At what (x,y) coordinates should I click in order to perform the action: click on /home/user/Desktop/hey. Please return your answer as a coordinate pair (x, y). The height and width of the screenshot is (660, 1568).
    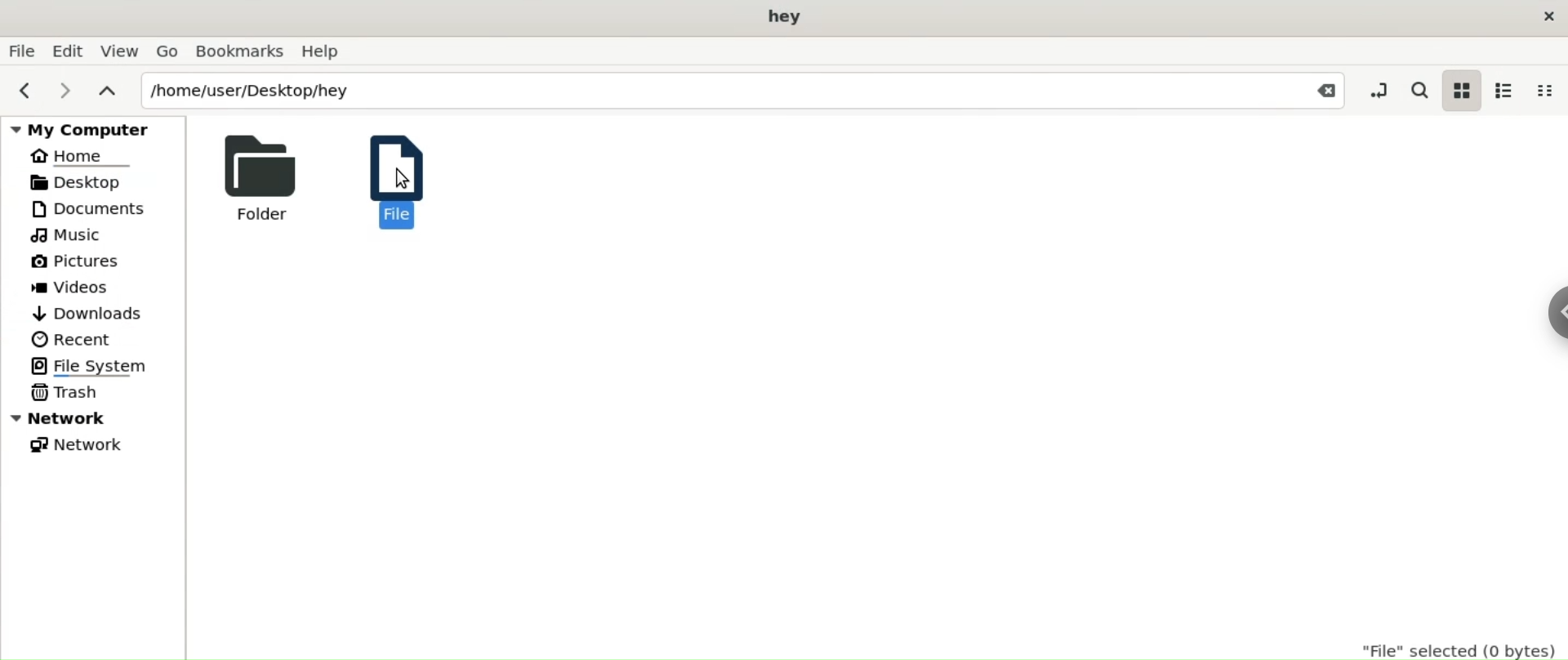
    Looking at the image, I should click on (704, 91).